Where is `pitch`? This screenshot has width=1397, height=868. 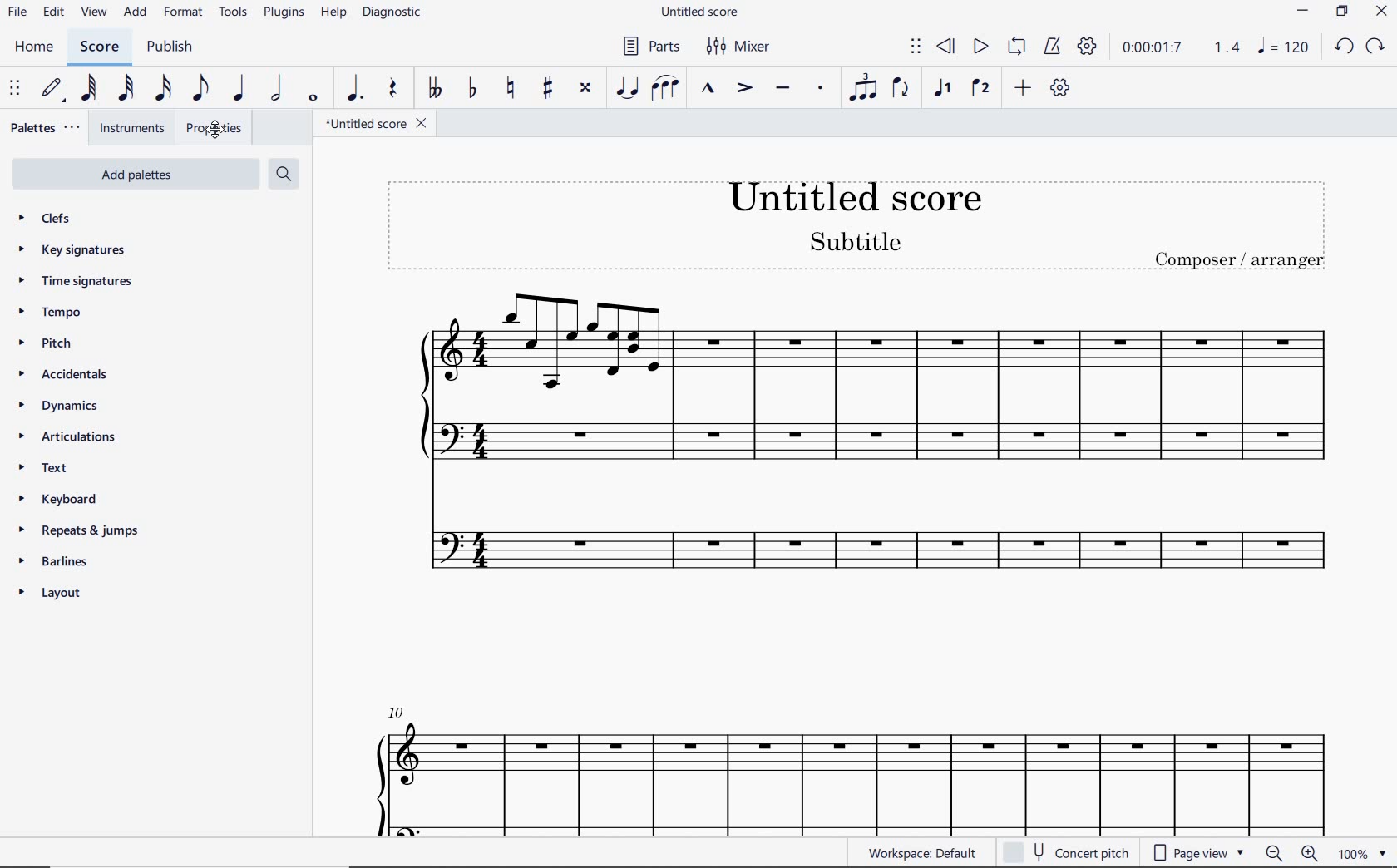 pitch is located at coordinates (50, 345).